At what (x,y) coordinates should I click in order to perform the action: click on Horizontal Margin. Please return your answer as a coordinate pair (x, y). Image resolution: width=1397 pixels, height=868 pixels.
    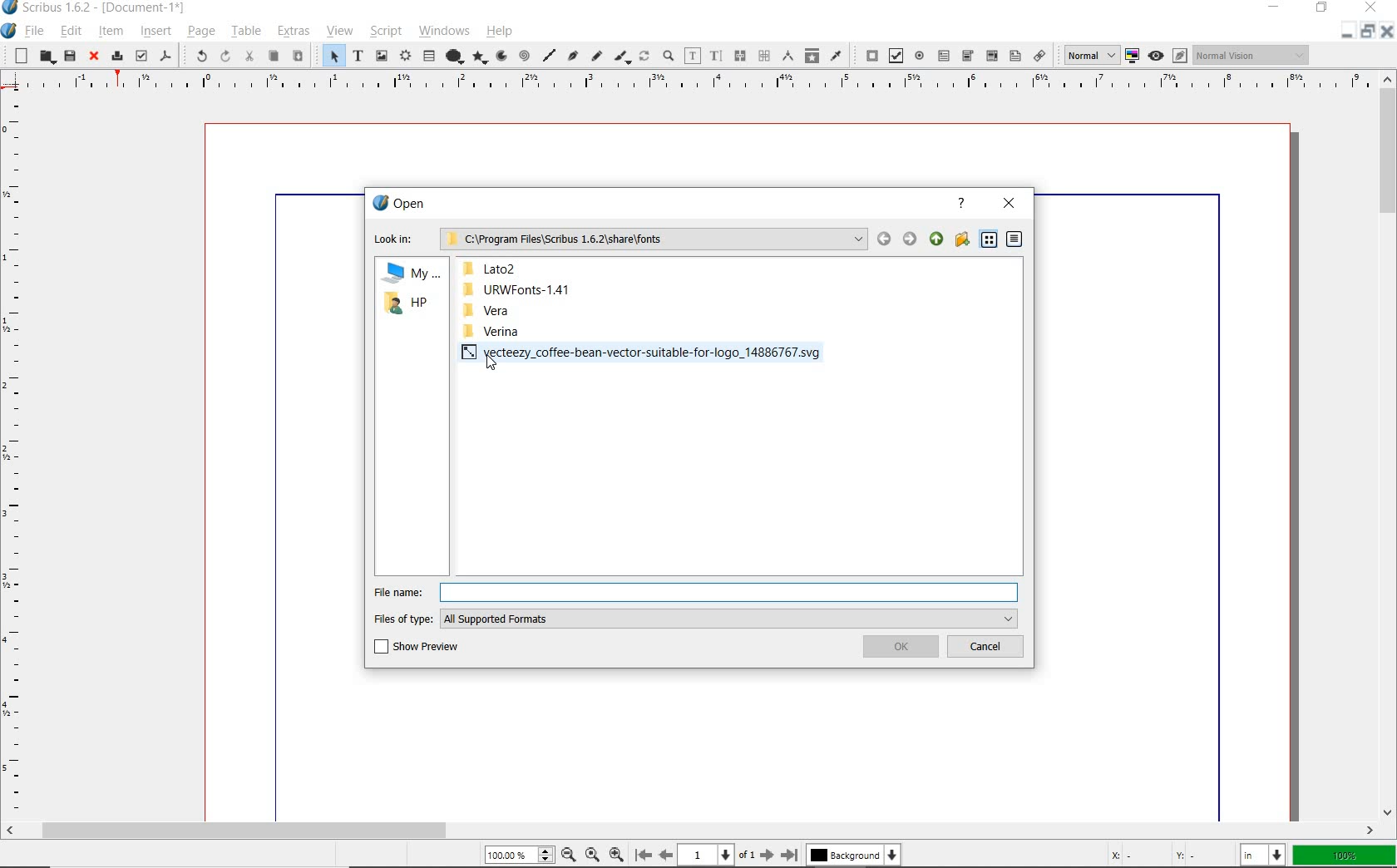
    Looking at the image, I should click on (687, 84).